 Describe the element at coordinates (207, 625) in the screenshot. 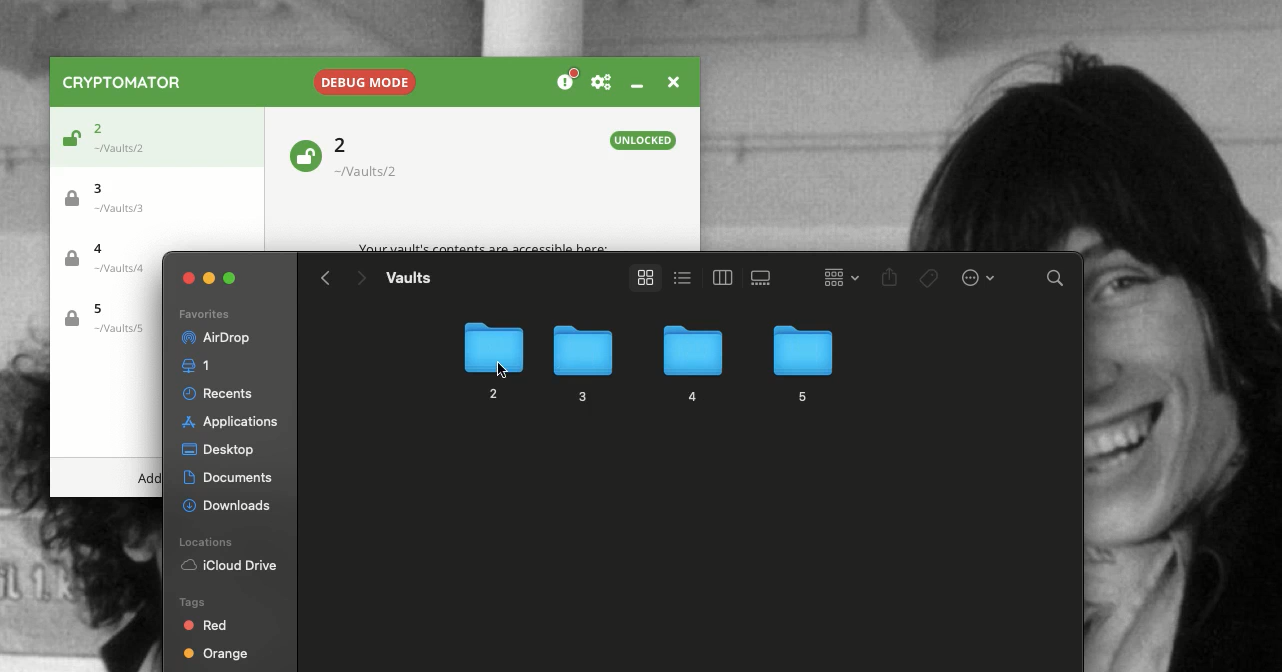

I see `Red` at that location.